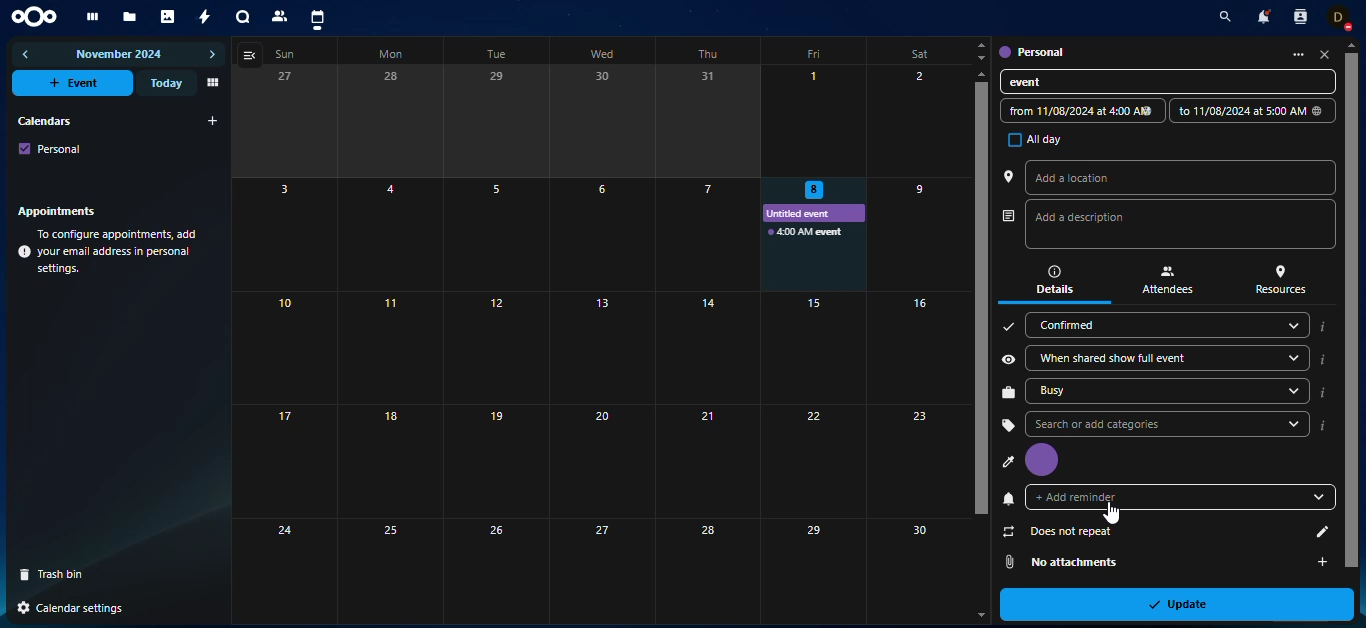  I want to click on 5, so click(497, 234).